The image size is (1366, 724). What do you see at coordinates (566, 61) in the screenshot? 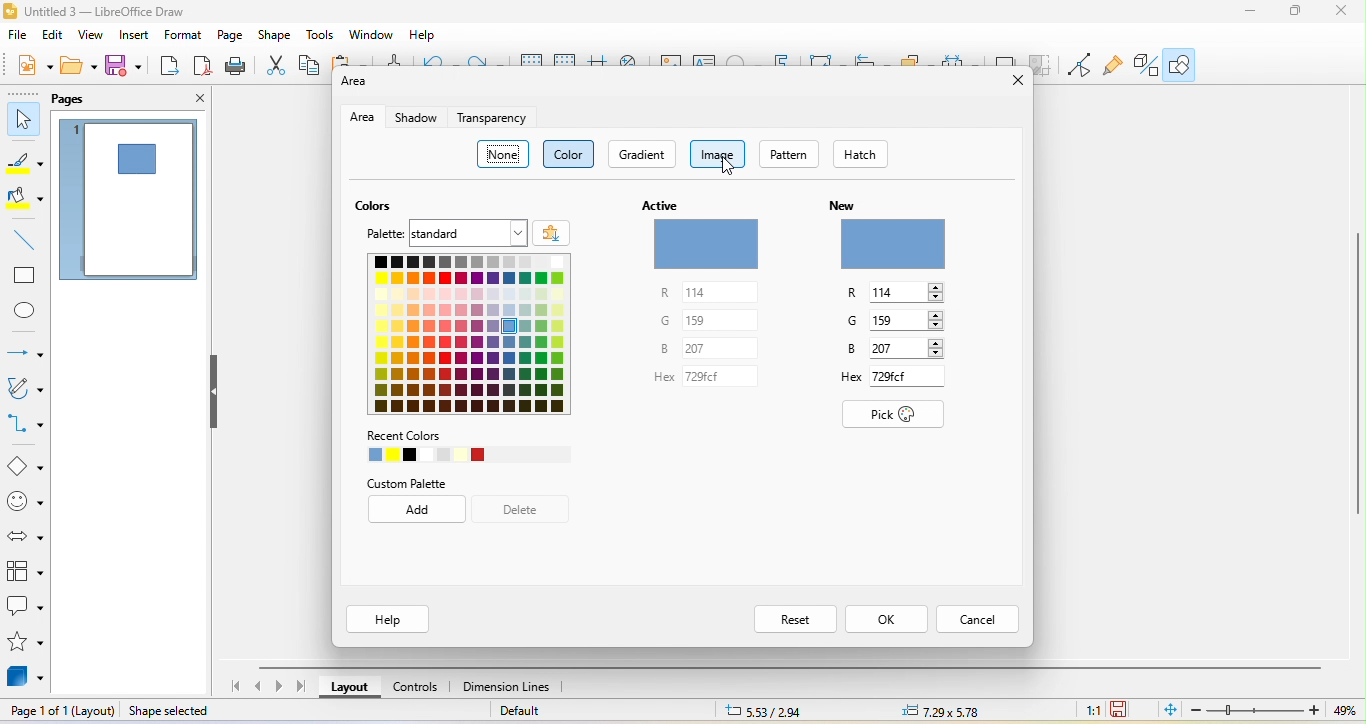
I see `snap to grid` at bounding box center [566, 61].